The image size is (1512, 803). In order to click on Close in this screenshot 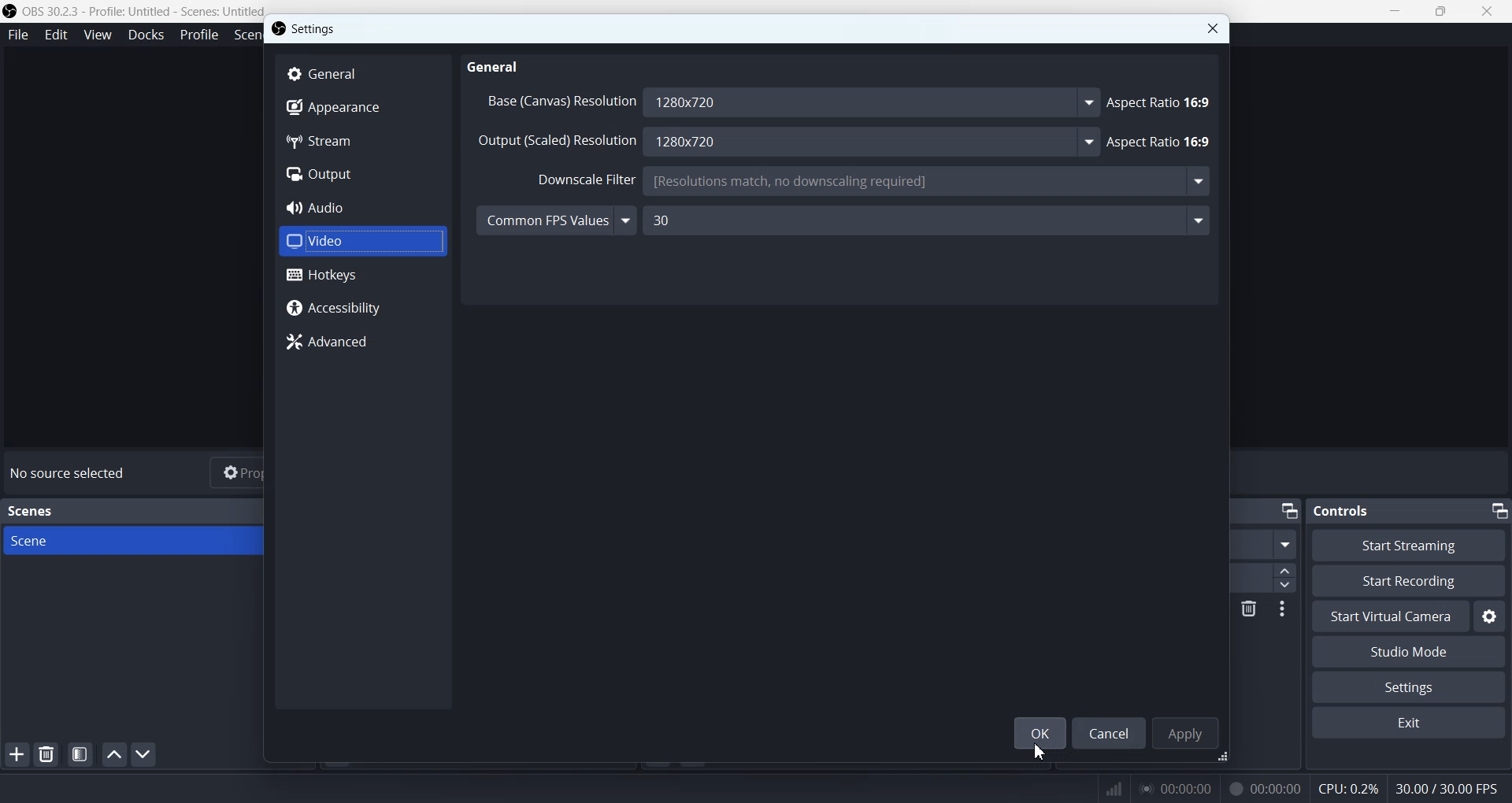, I will do `click(1213, 28)`.